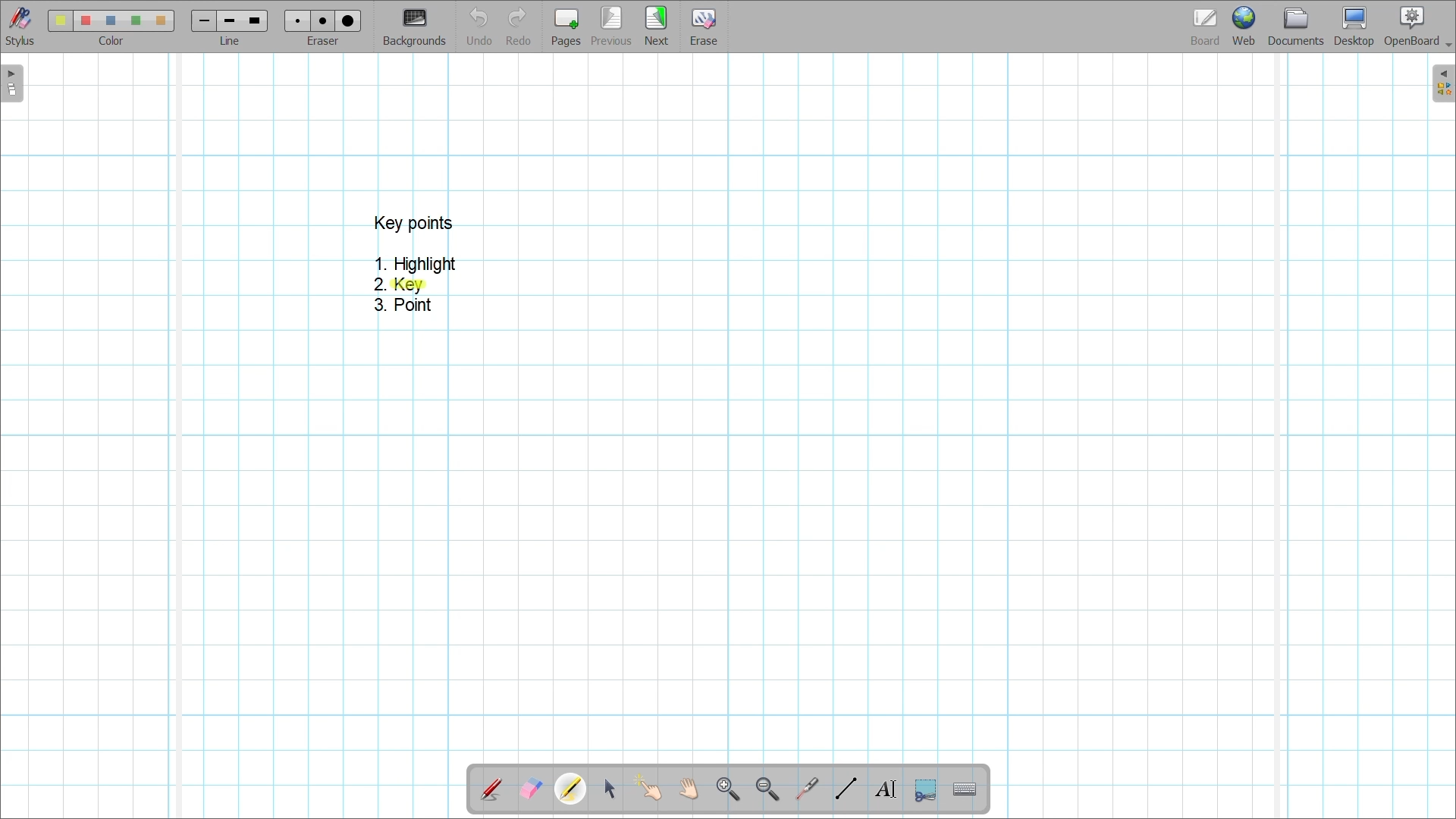  Describe the element at coordinates (21, 27) in the screenshot. I see `Stylus menu at the bottom of the page` at that location.